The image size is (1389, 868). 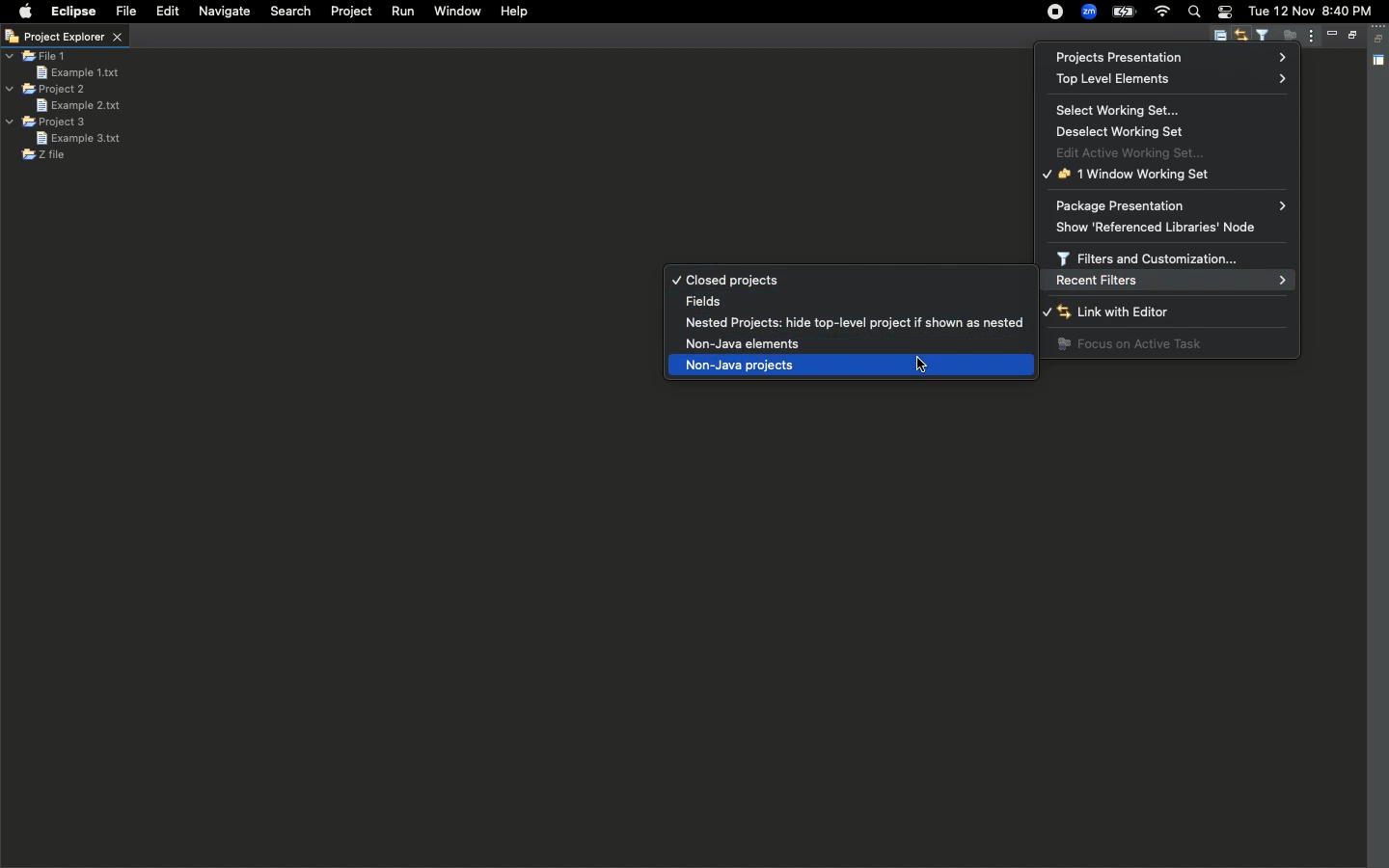 I want to click on Eclipse, so click(x=74, y=13).